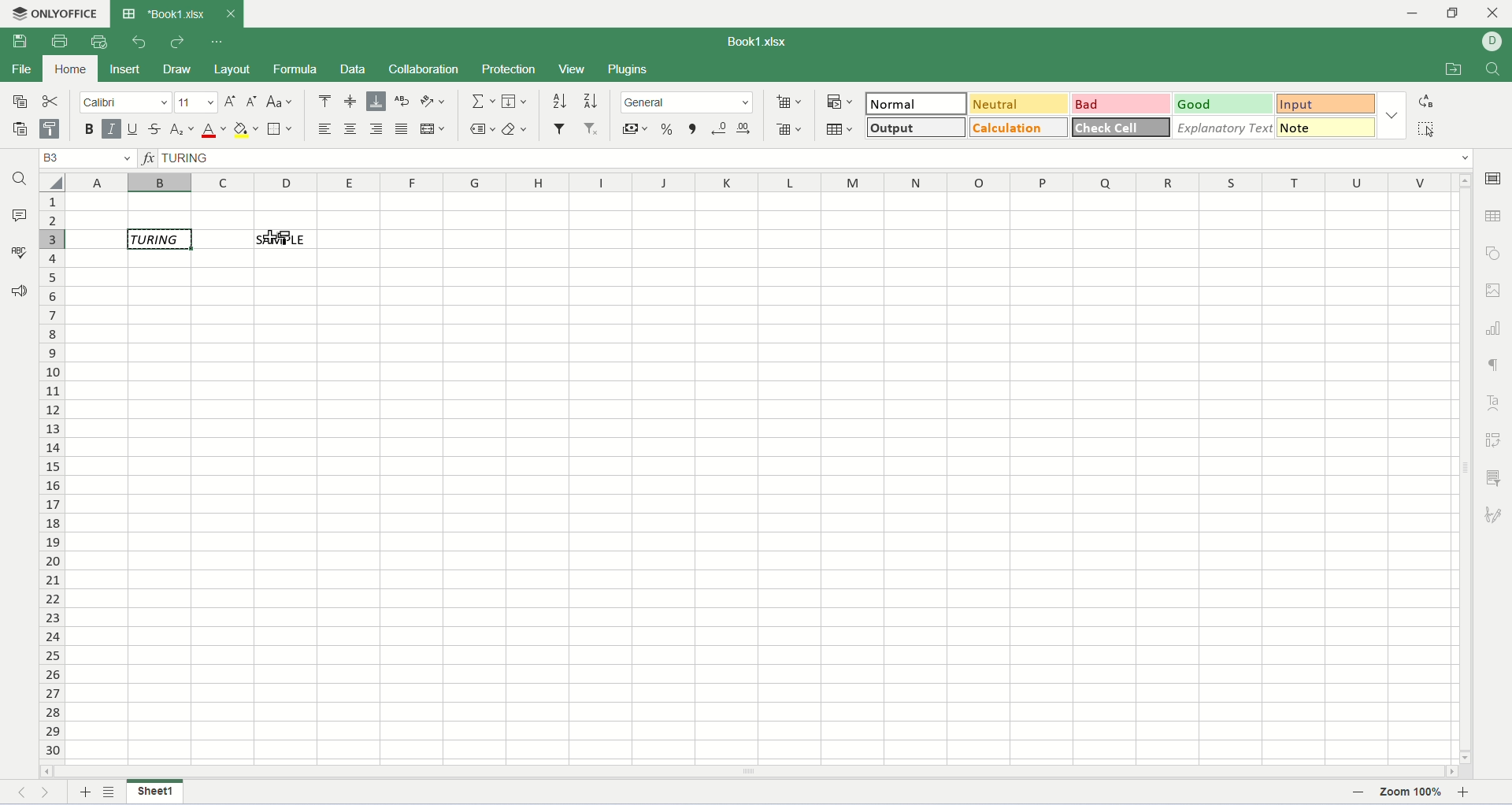 The image size is (1512, 805). What do you see at coordinates (432, 128) in the screenshot?
I see `merge and center` at bounding box center [432, 128].